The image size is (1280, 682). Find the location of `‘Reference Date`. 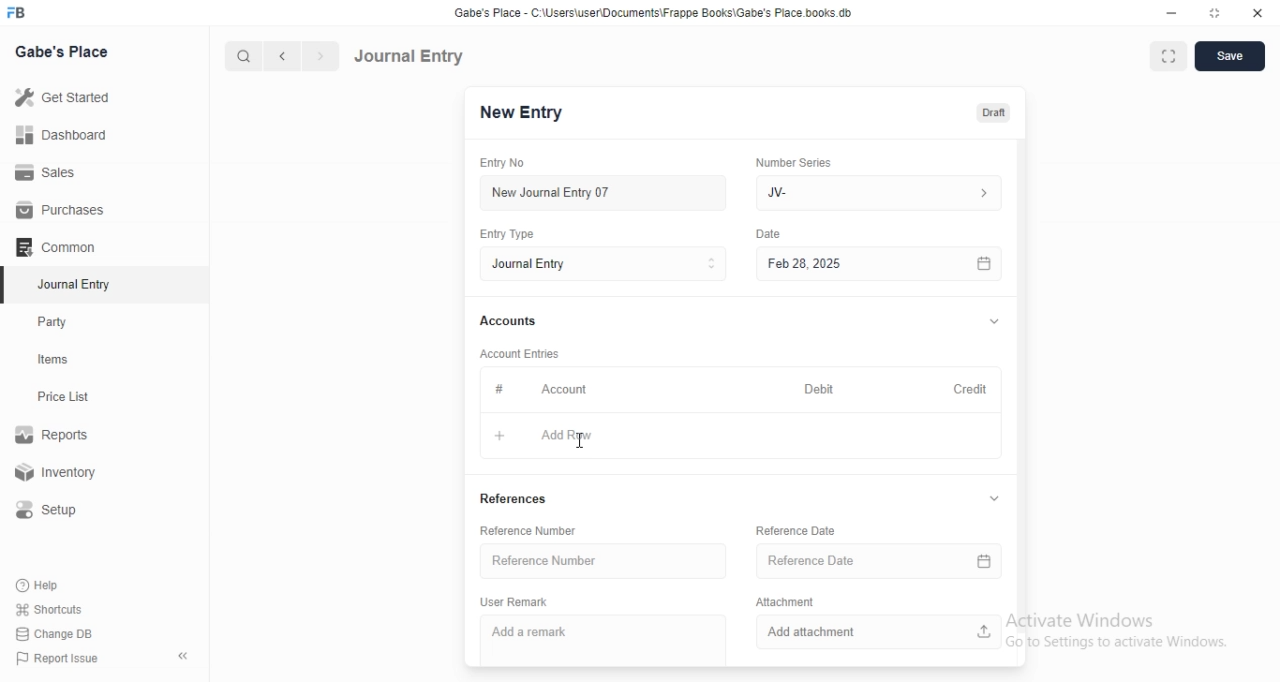

‘Reference Date is located at coordinates (796, 530).